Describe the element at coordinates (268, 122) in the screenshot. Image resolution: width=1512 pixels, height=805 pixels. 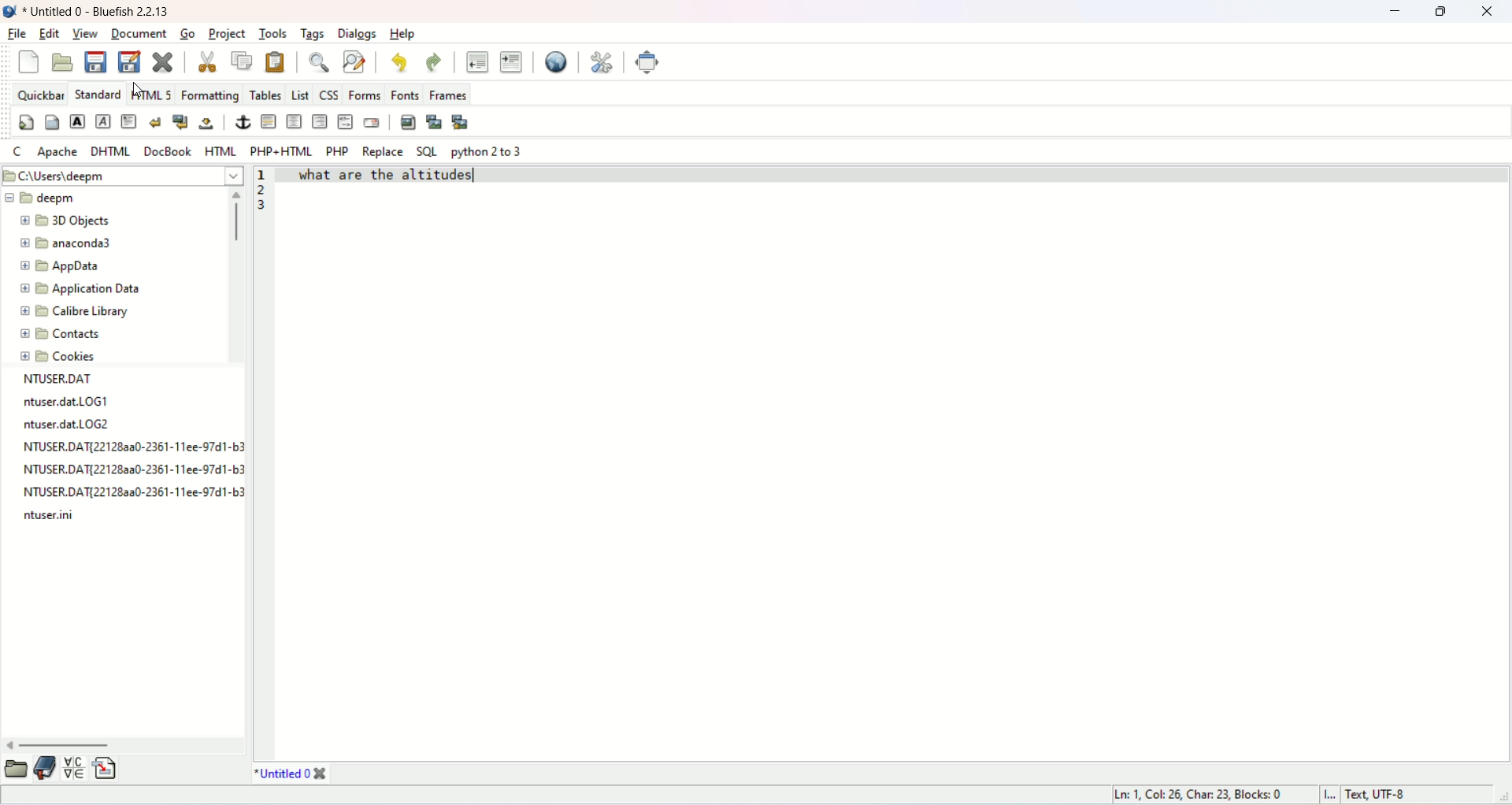
I see `horizontal rule` at that location.